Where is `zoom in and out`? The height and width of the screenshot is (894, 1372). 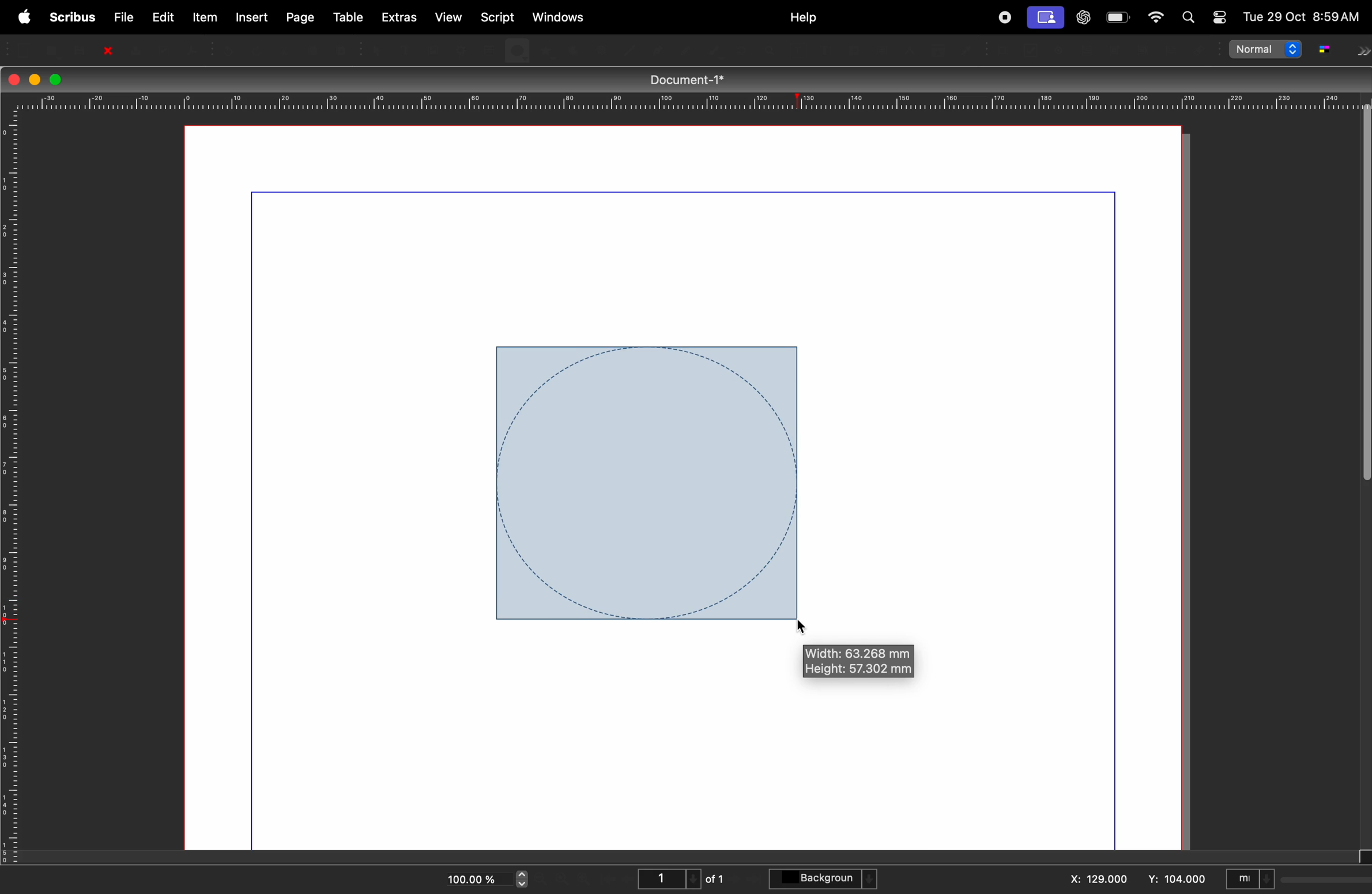
zoom in and out is located at coordinates (523, 880).